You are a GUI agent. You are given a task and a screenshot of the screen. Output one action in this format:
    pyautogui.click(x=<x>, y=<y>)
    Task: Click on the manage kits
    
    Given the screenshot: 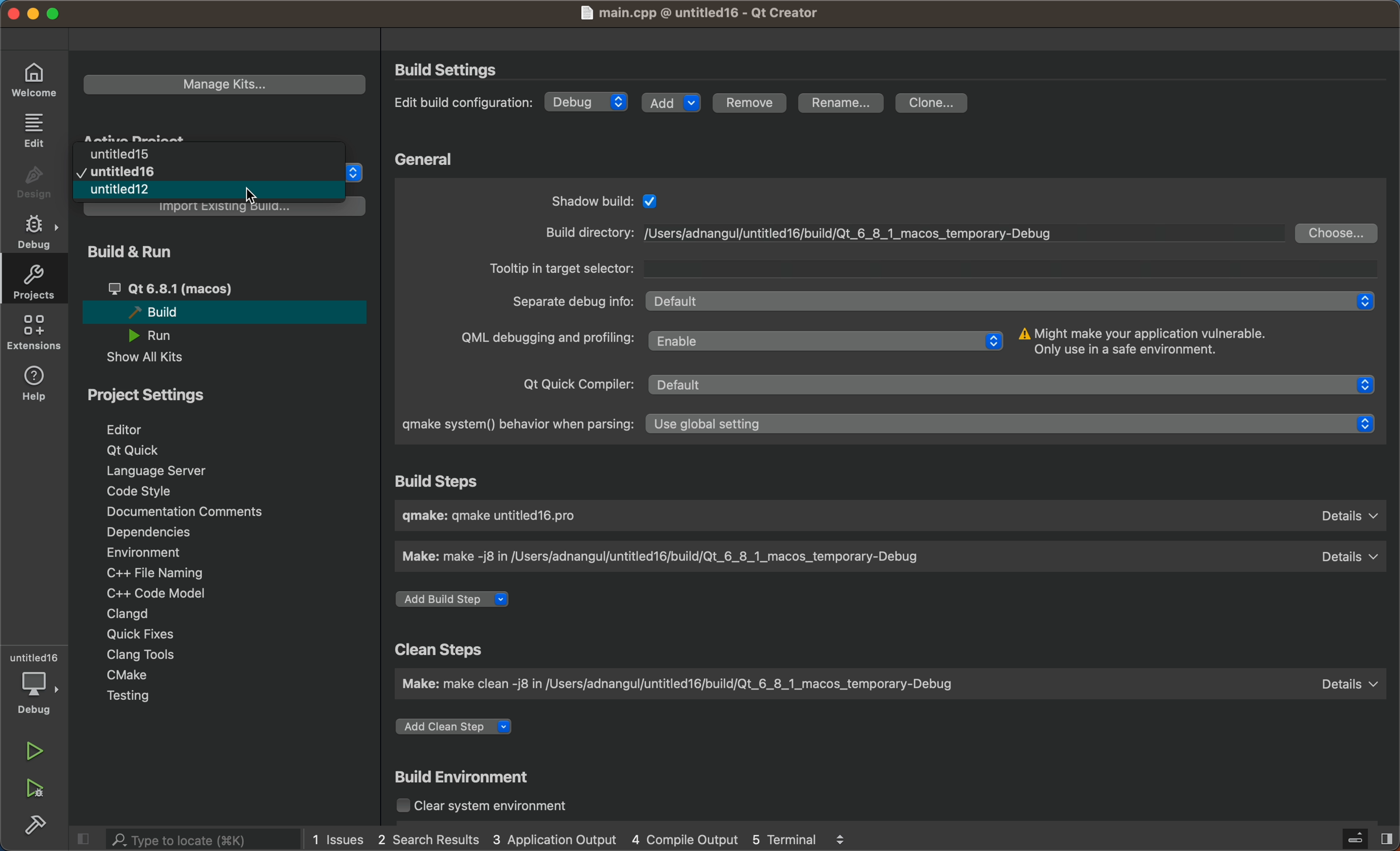 What is the action you would take?
    pyautogui.click(x=227, y=82)
    